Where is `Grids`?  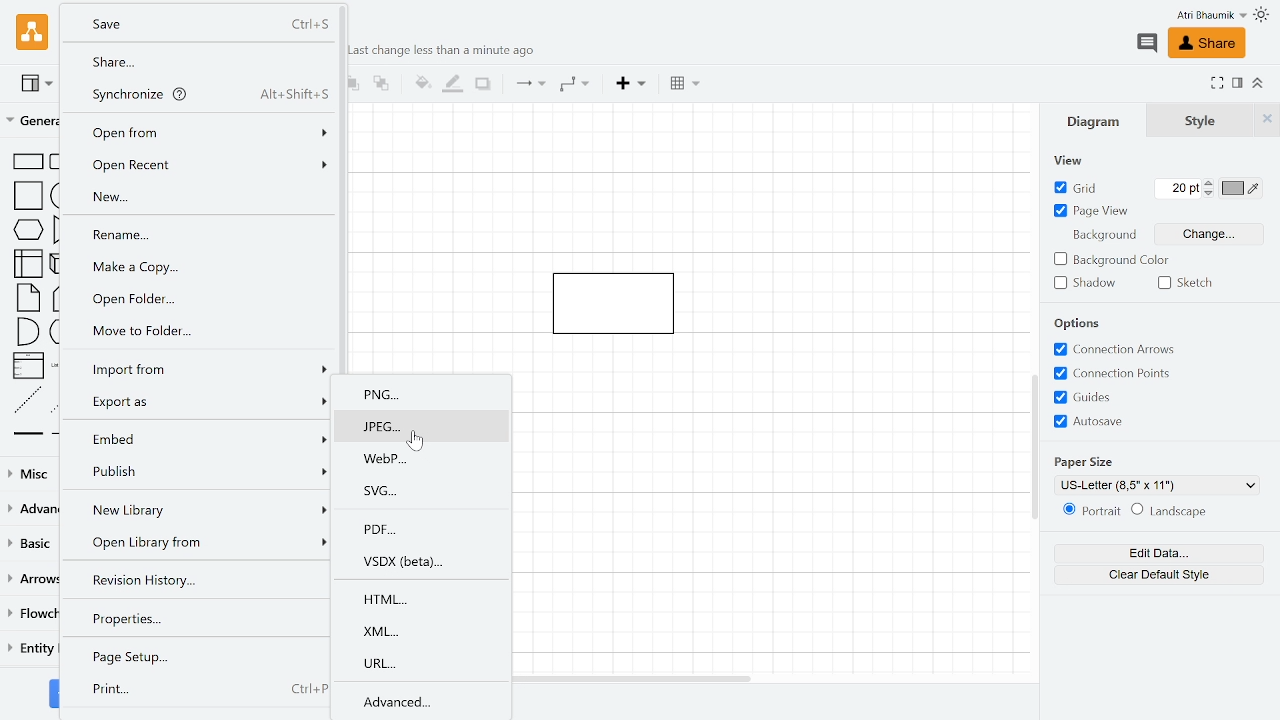 Grids is located at coordinates (1128, 398).